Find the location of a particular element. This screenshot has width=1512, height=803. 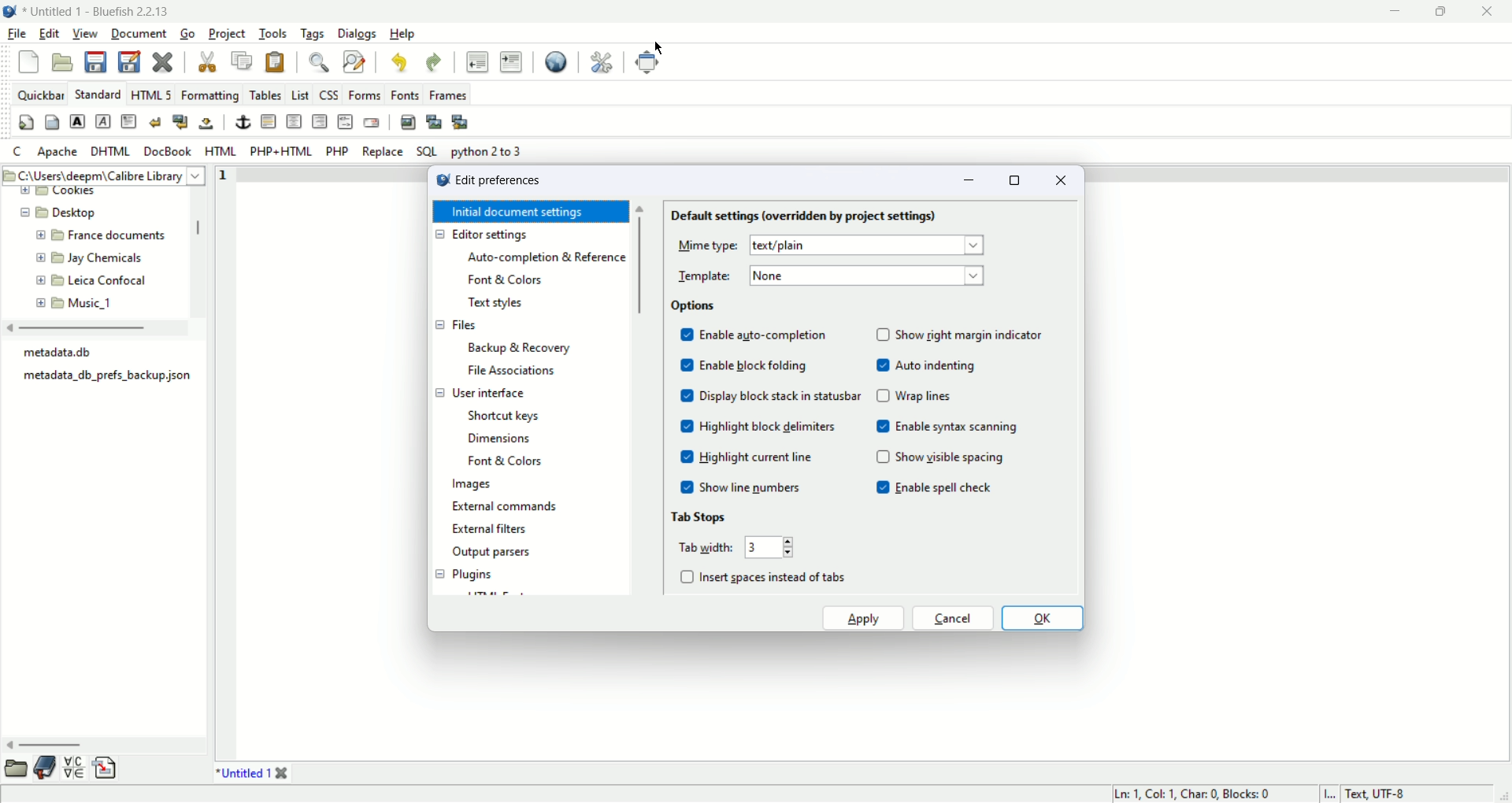

view is located at coordinates (86, 33).